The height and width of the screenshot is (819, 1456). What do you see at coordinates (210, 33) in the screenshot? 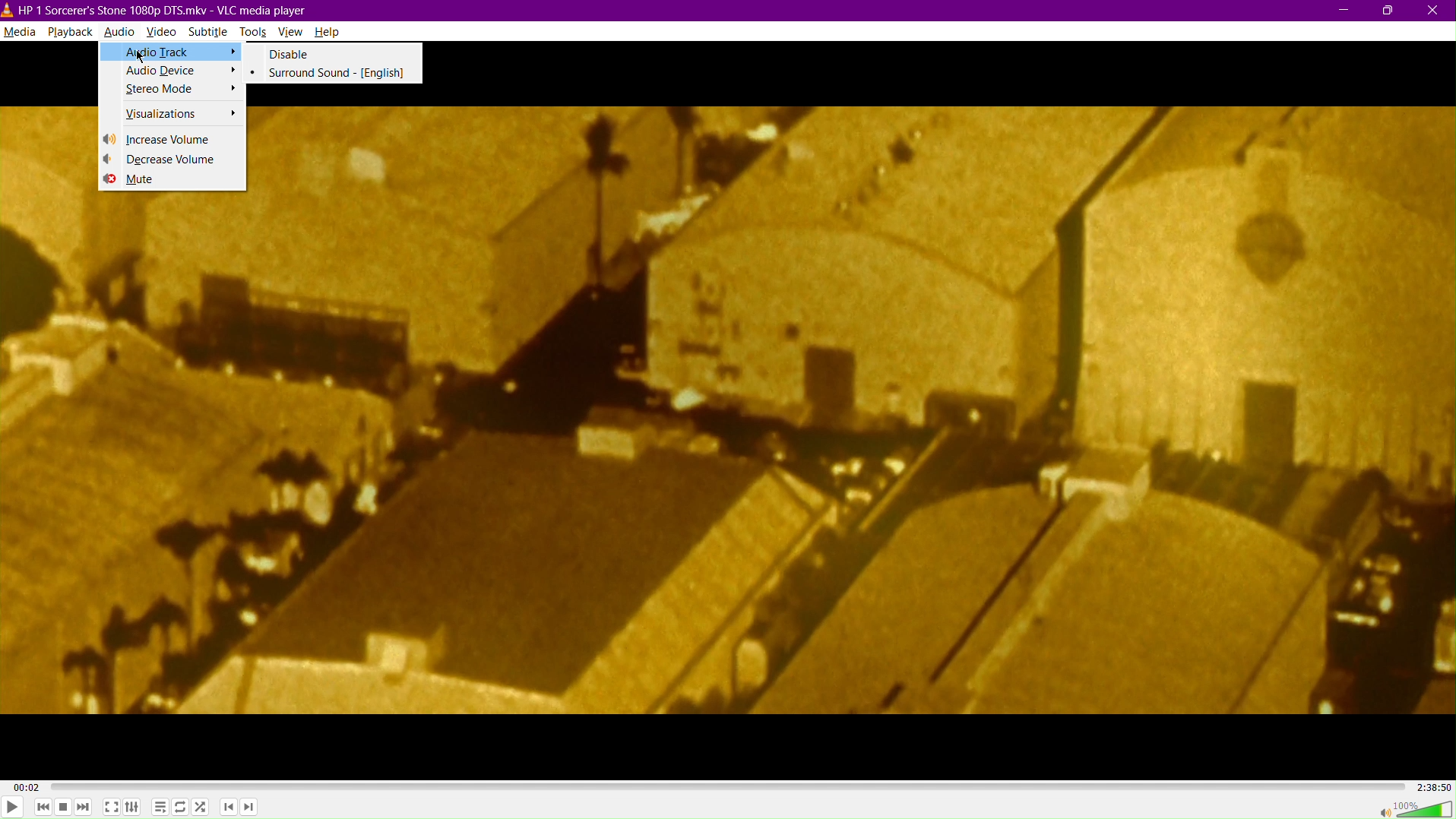
I see `Subtitle` at bounding box center [210, 33].